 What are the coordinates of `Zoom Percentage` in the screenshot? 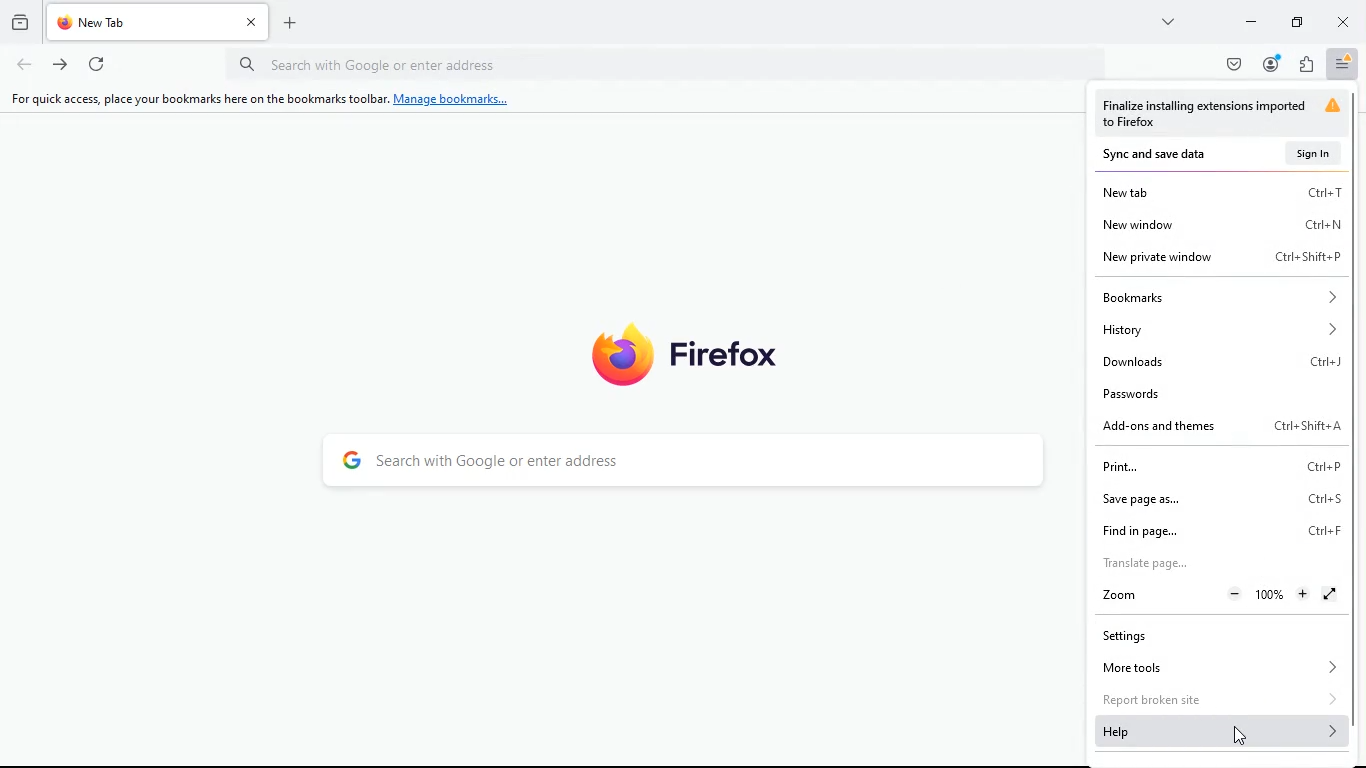 It's located at (1270, 593).